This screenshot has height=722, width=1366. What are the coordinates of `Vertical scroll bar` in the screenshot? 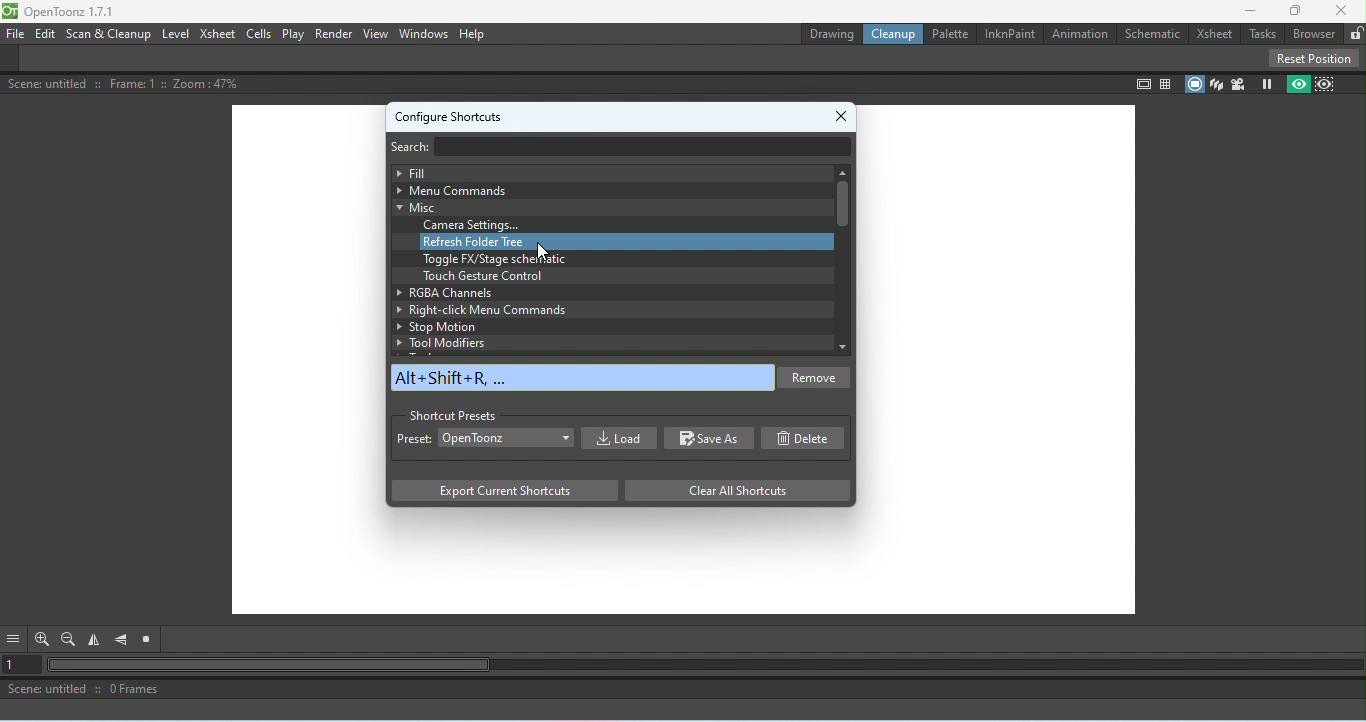 It's located at (841, 259).